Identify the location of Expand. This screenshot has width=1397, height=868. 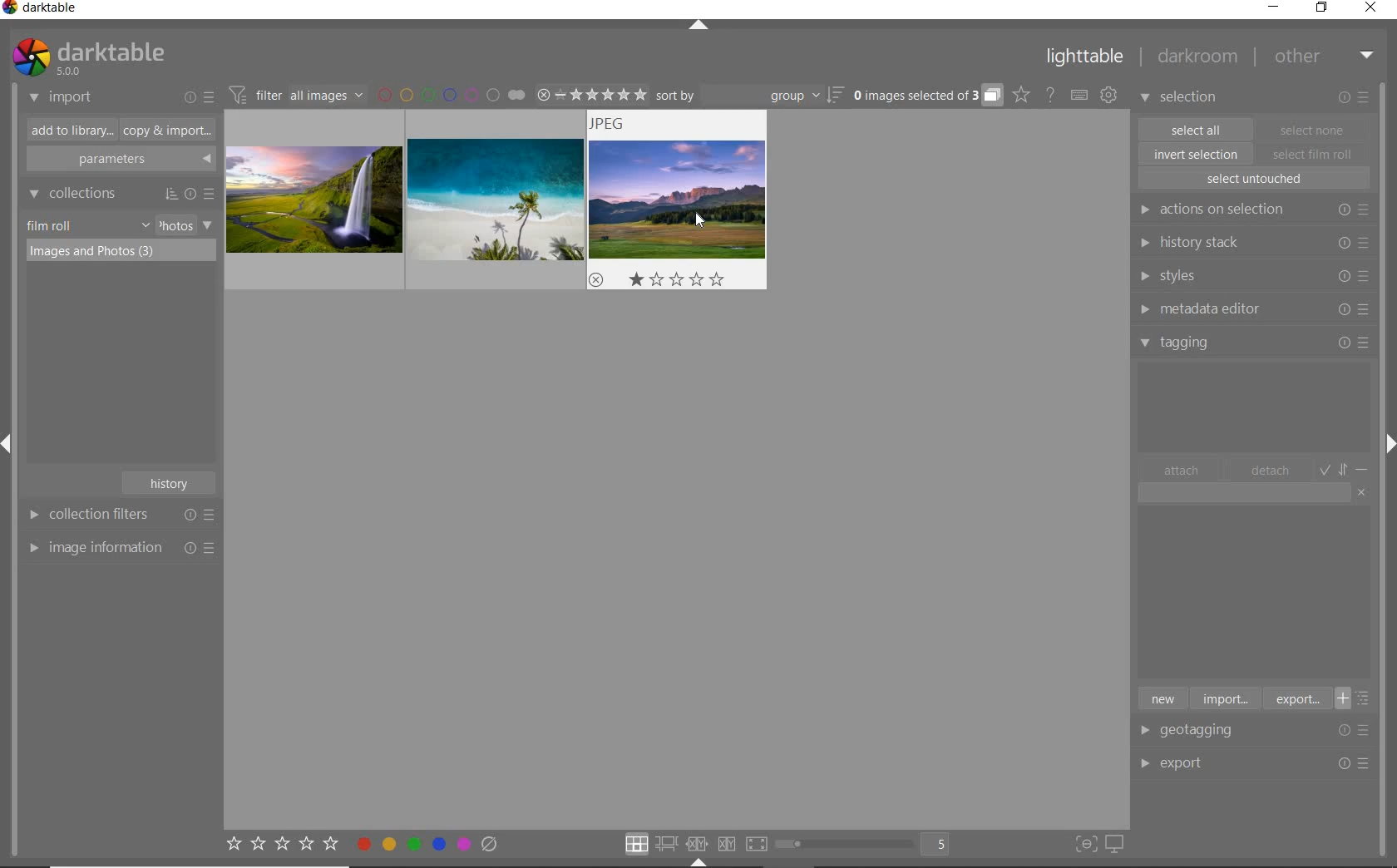
(1387, 440).